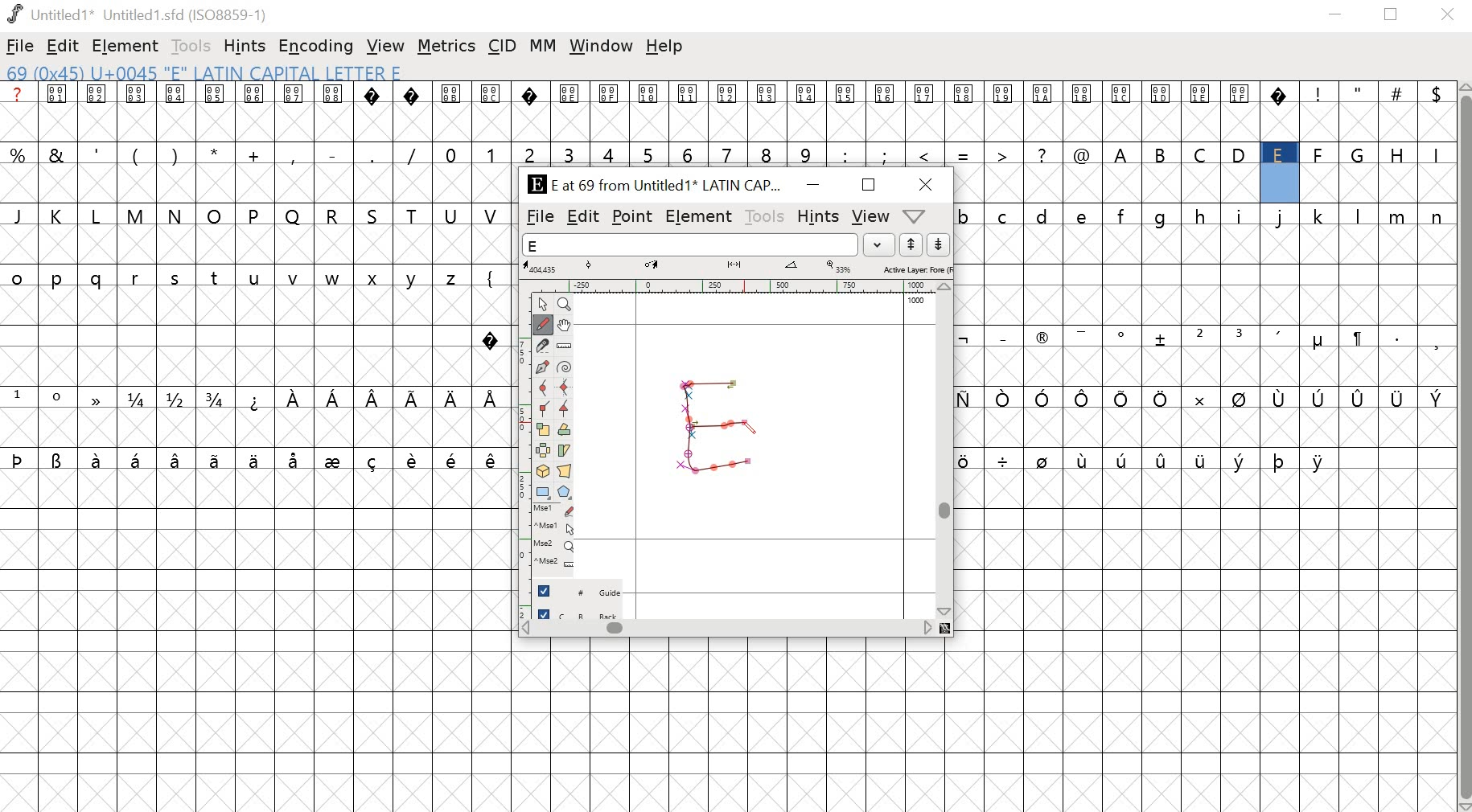  Describe the element at coordinates (1208, 277) in the screenshot. I see `empty cells` at that location.